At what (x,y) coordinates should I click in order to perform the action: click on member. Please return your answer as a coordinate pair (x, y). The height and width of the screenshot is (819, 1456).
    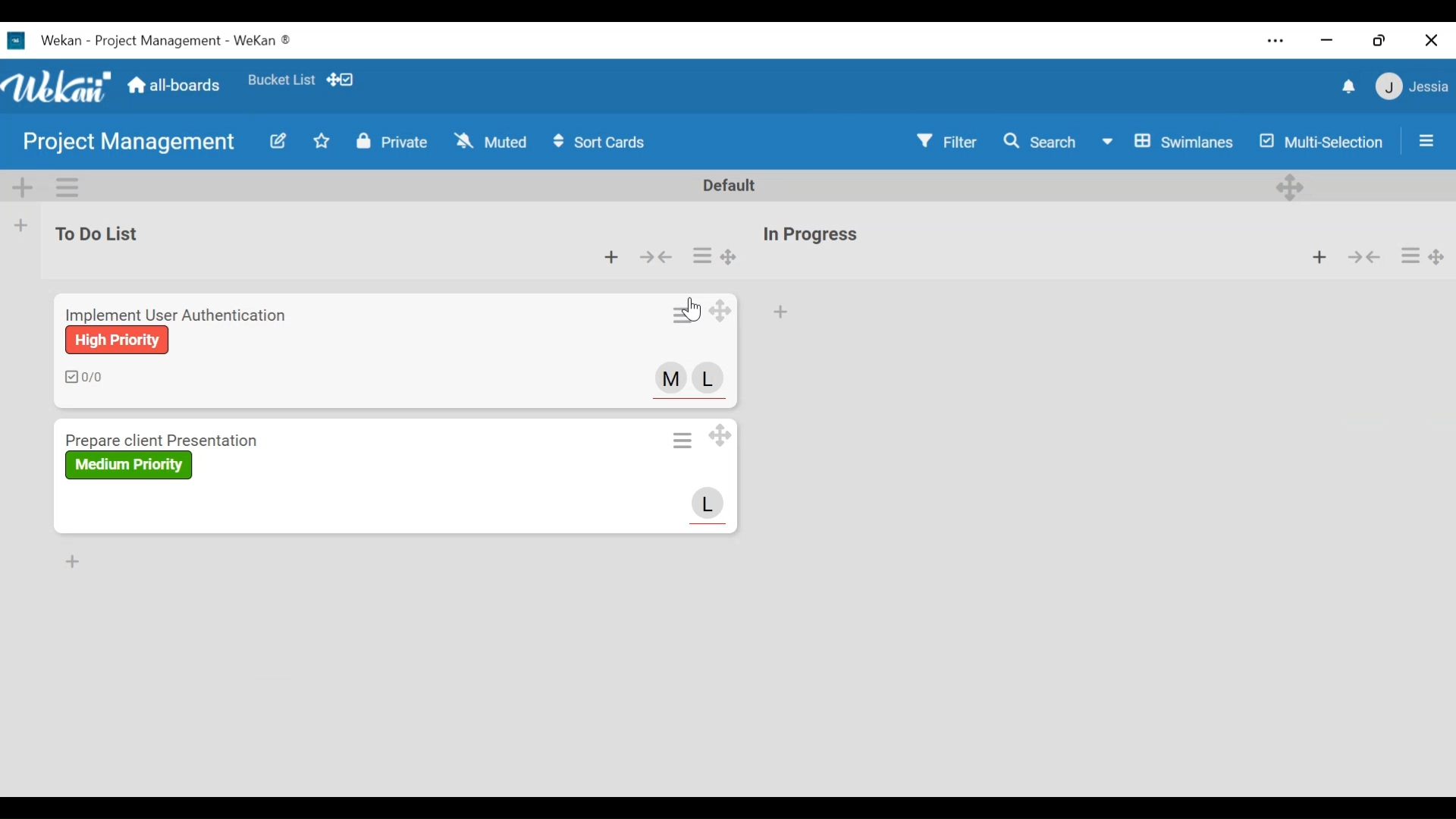
    Looking at the image, I should click on (707, 378).